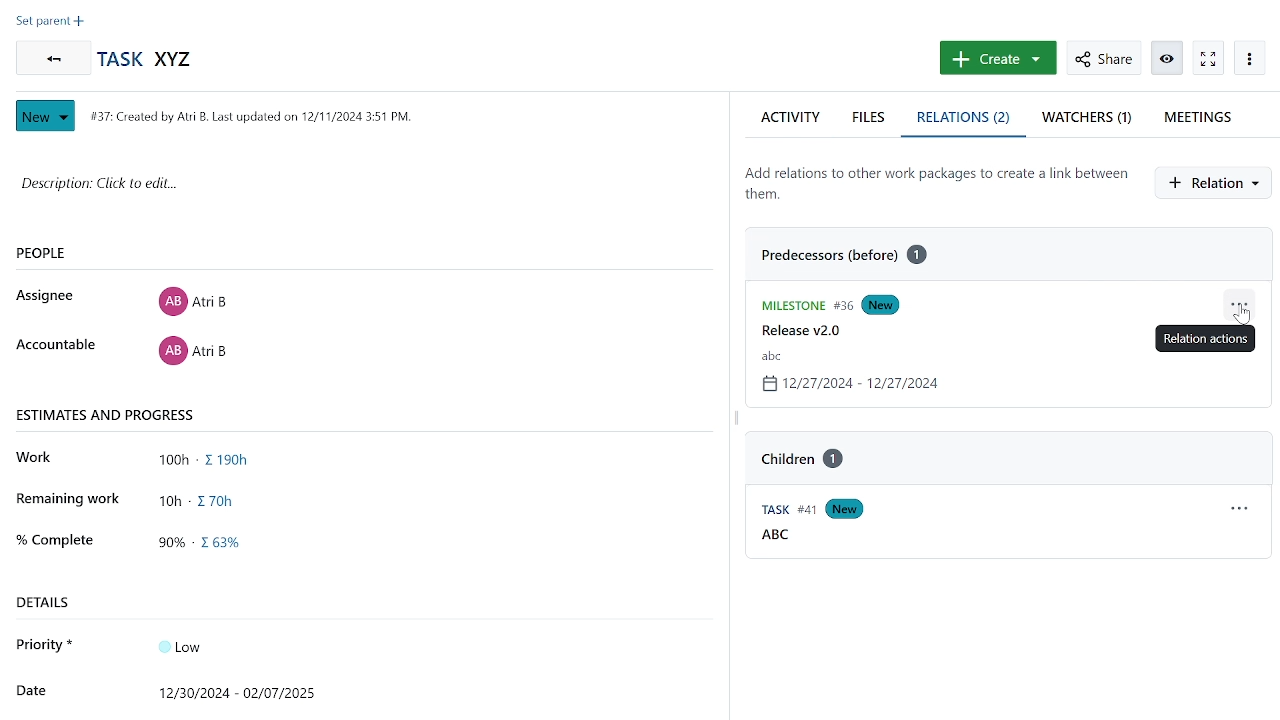 The height and width of the screenshot is (720, 1280). I want to click on assignee, so click(50, 296).